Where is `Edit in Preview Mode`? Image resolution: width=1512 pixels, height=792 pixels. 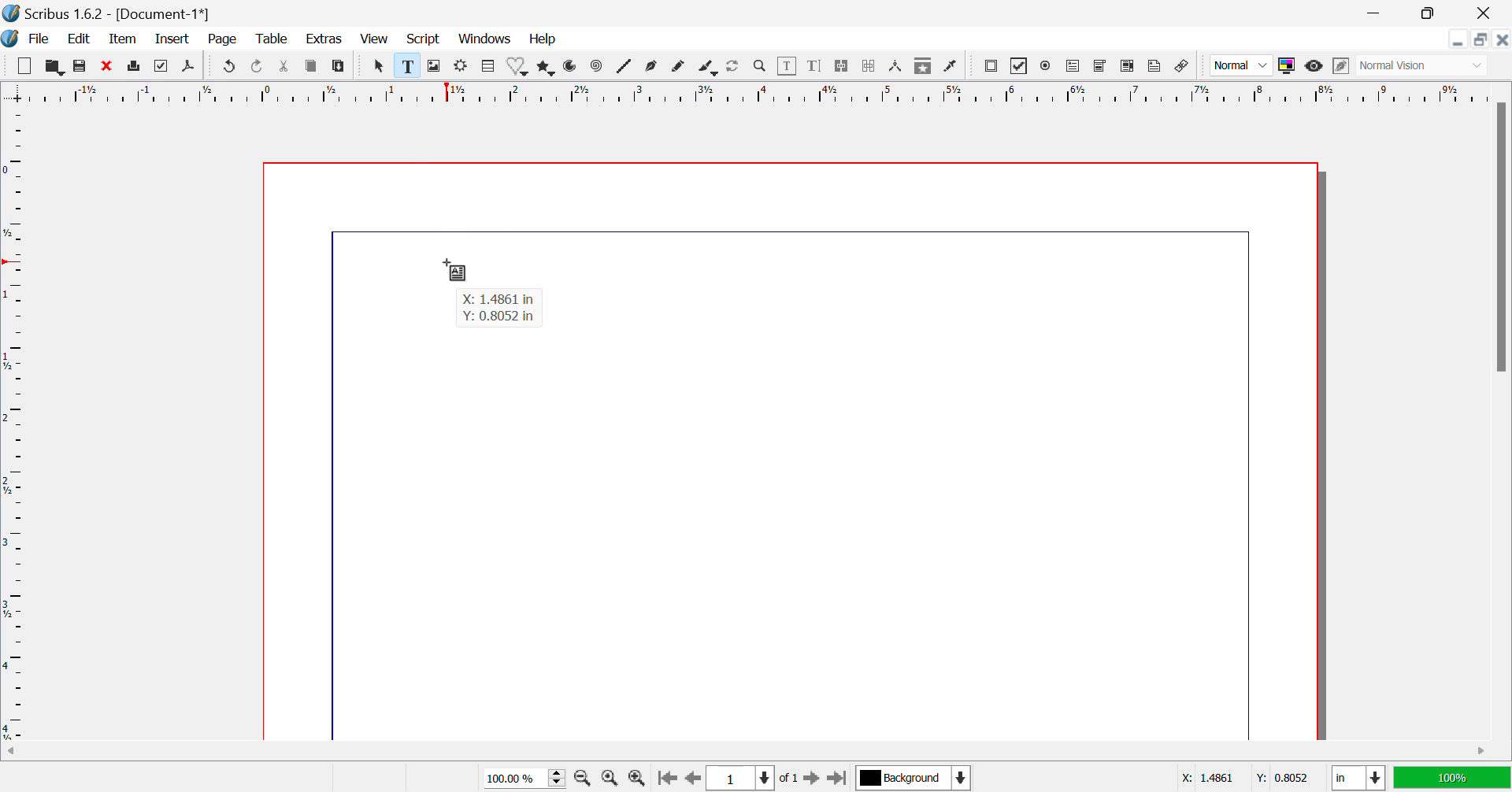
Edit in Preview Mode is located at coordinates (1341, 68).